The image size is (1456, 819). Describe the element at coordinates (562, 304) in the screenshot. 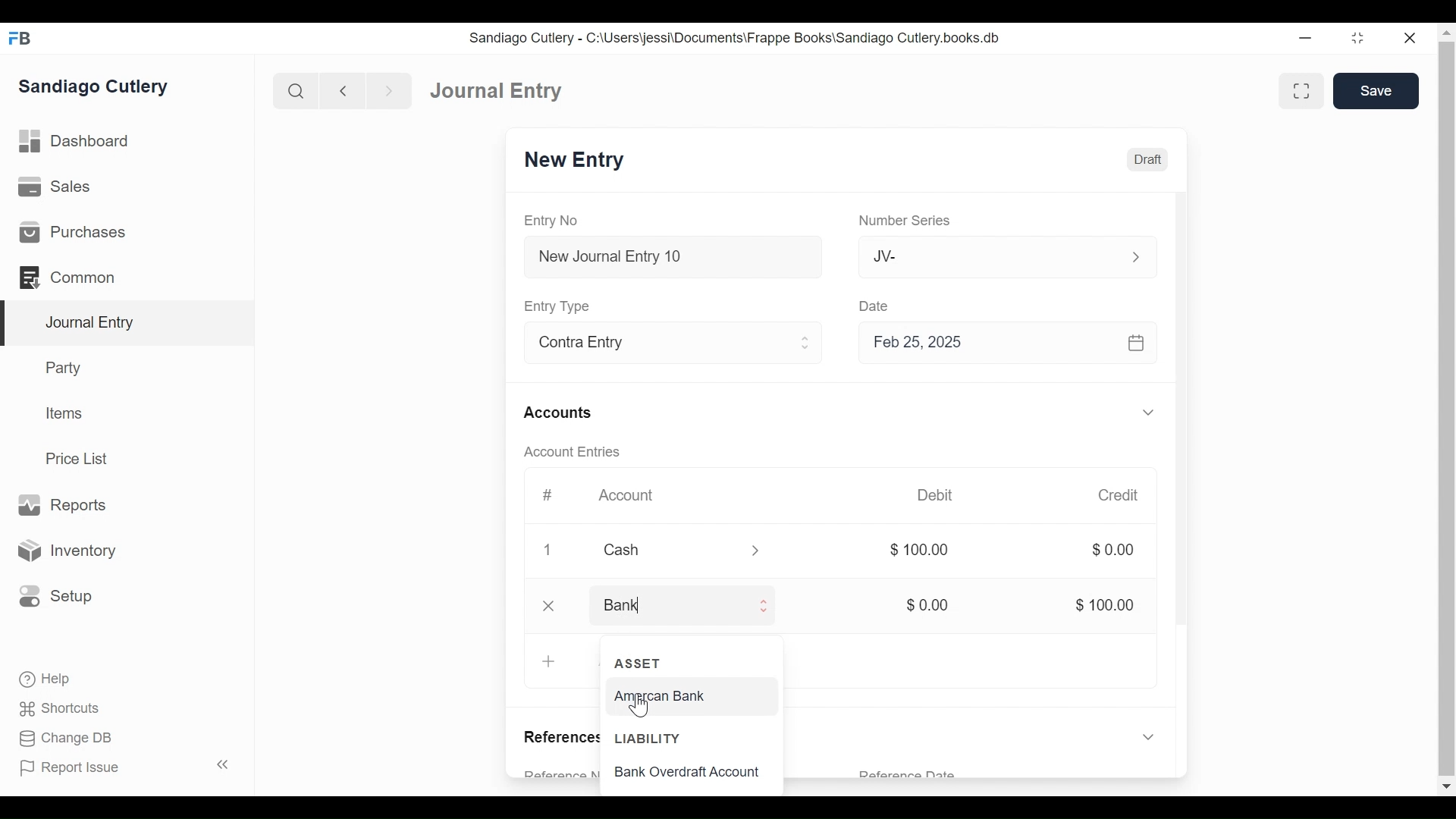

I see `Entry Type` at that location.